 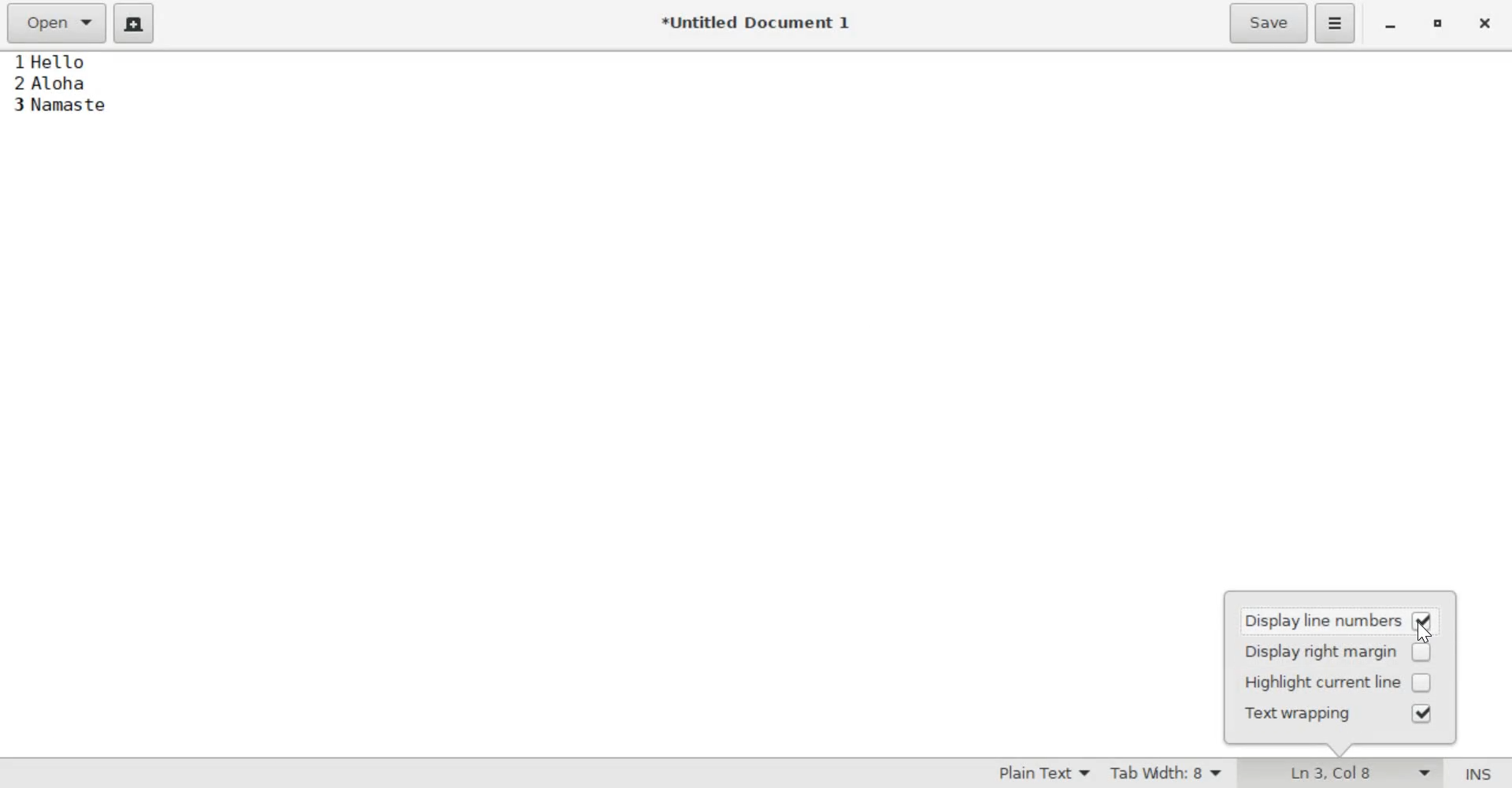 What do you see at coordinates (1336, 653) in the screenshot?
I see `display right margin ` at bounding box center [1336, 653].